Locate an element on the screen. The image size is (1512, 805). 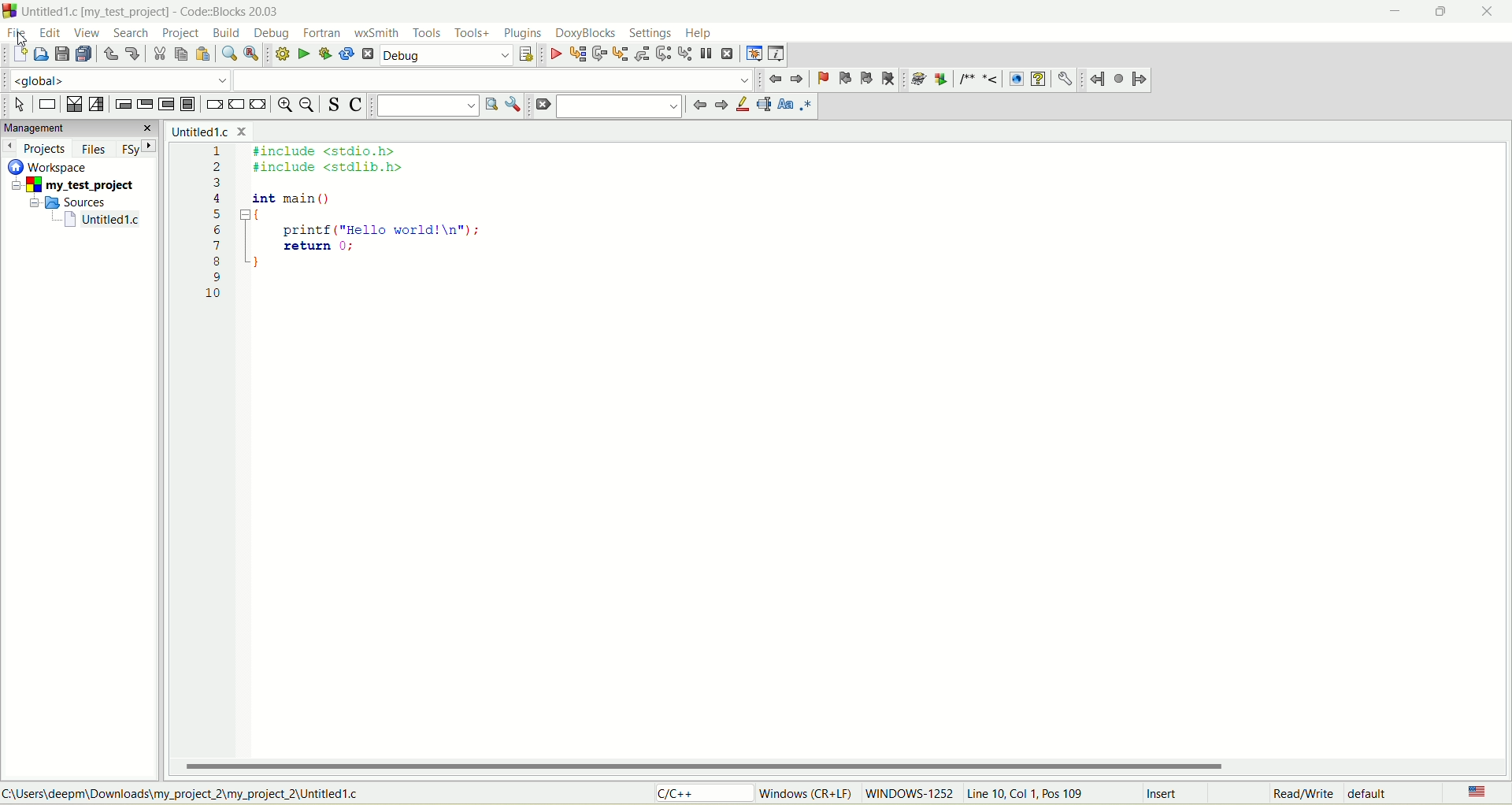
return instruction is located at coordinates (259, 105).